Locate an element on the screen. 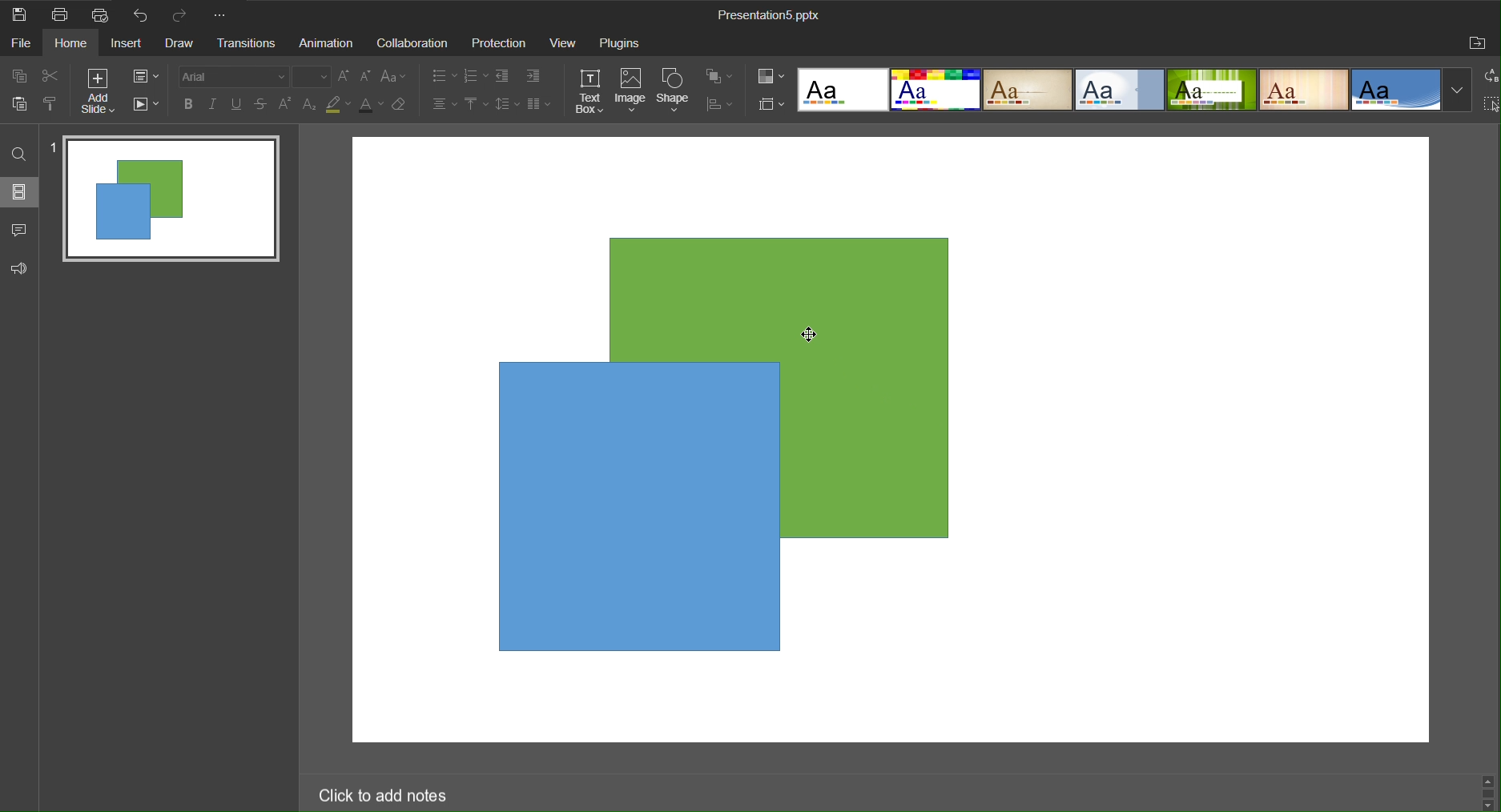 Image resolution: width=1501 pixels, height=812 pixels. Transitions is located at coordinates (250, 44).